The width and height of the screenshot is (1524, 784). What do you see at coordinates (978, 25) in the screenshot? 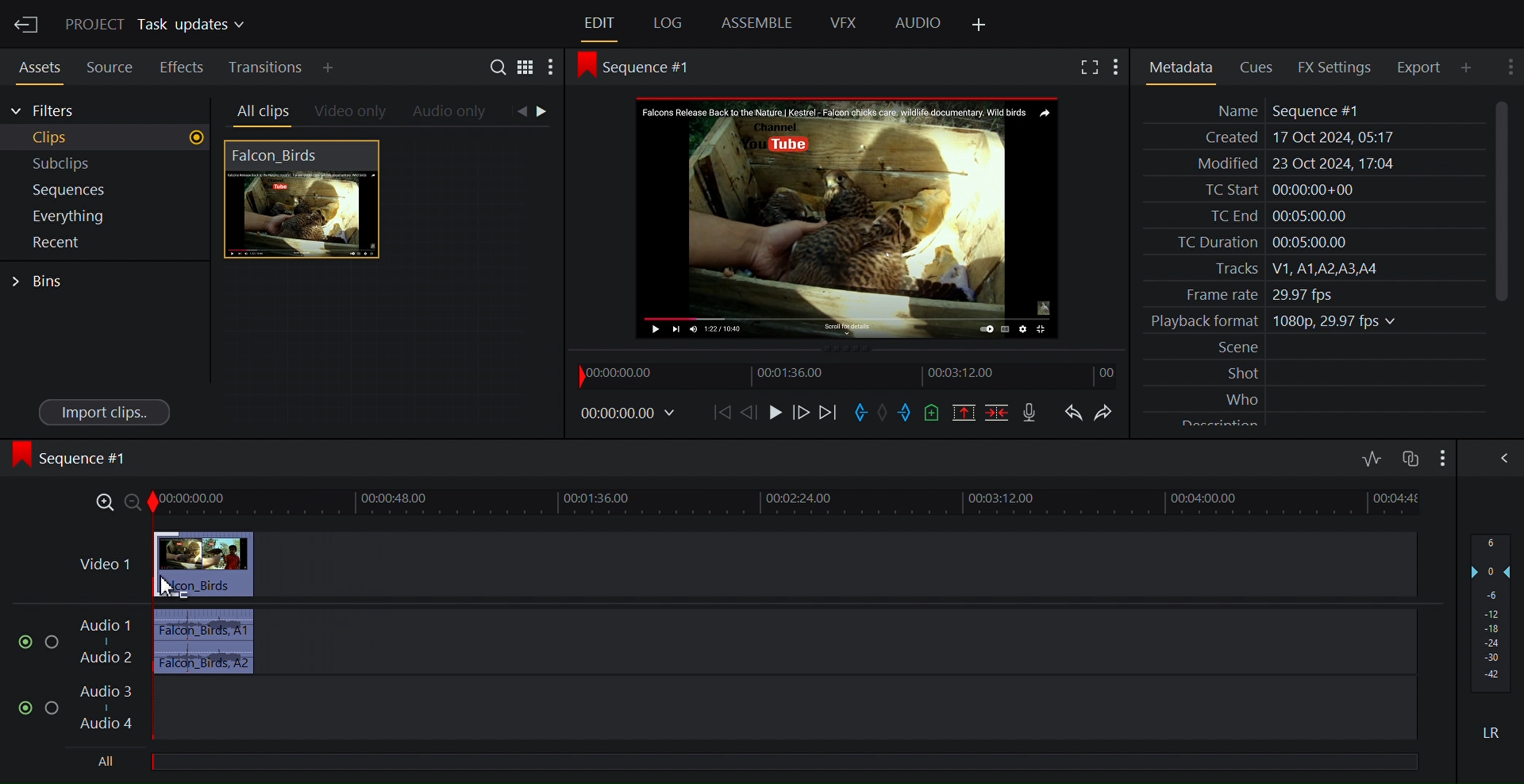
I see `Add Panel` at bounding box center [978, 25].